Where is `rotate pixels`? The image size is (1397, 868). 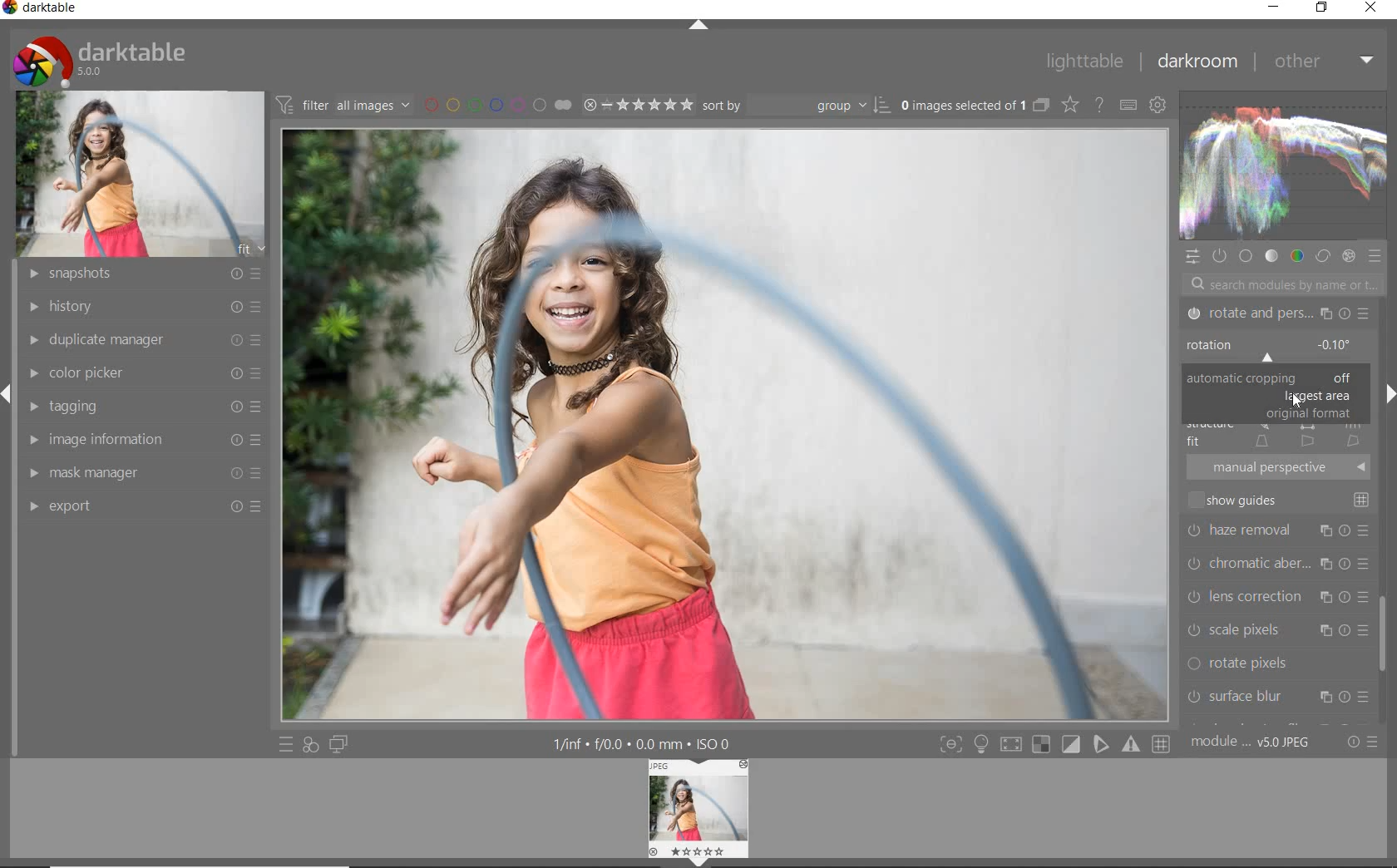 rotate pixels is located at coordinates (1276, 664).